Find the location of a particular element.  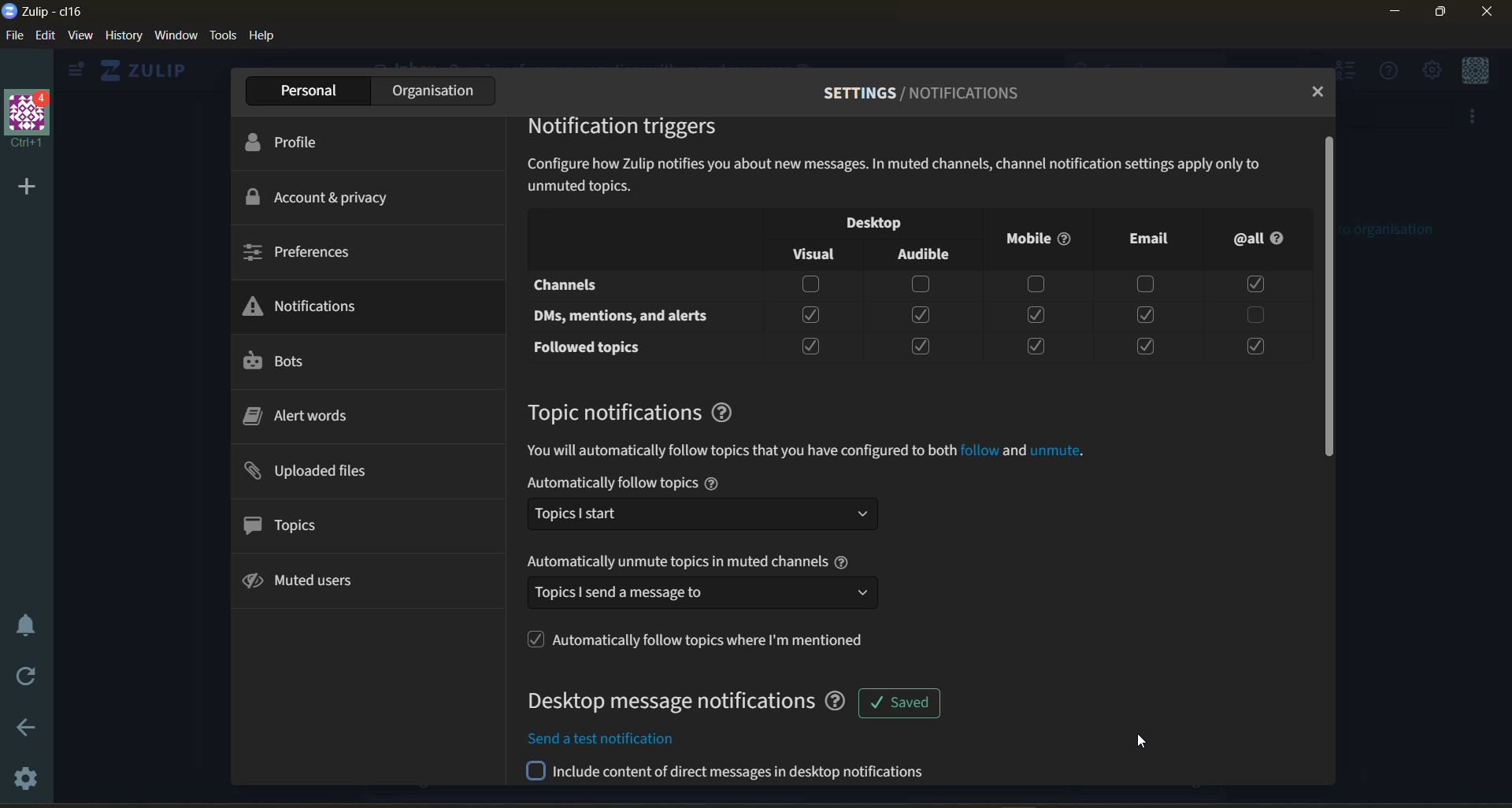

Checkbox is located at coordinates (1147, 286).